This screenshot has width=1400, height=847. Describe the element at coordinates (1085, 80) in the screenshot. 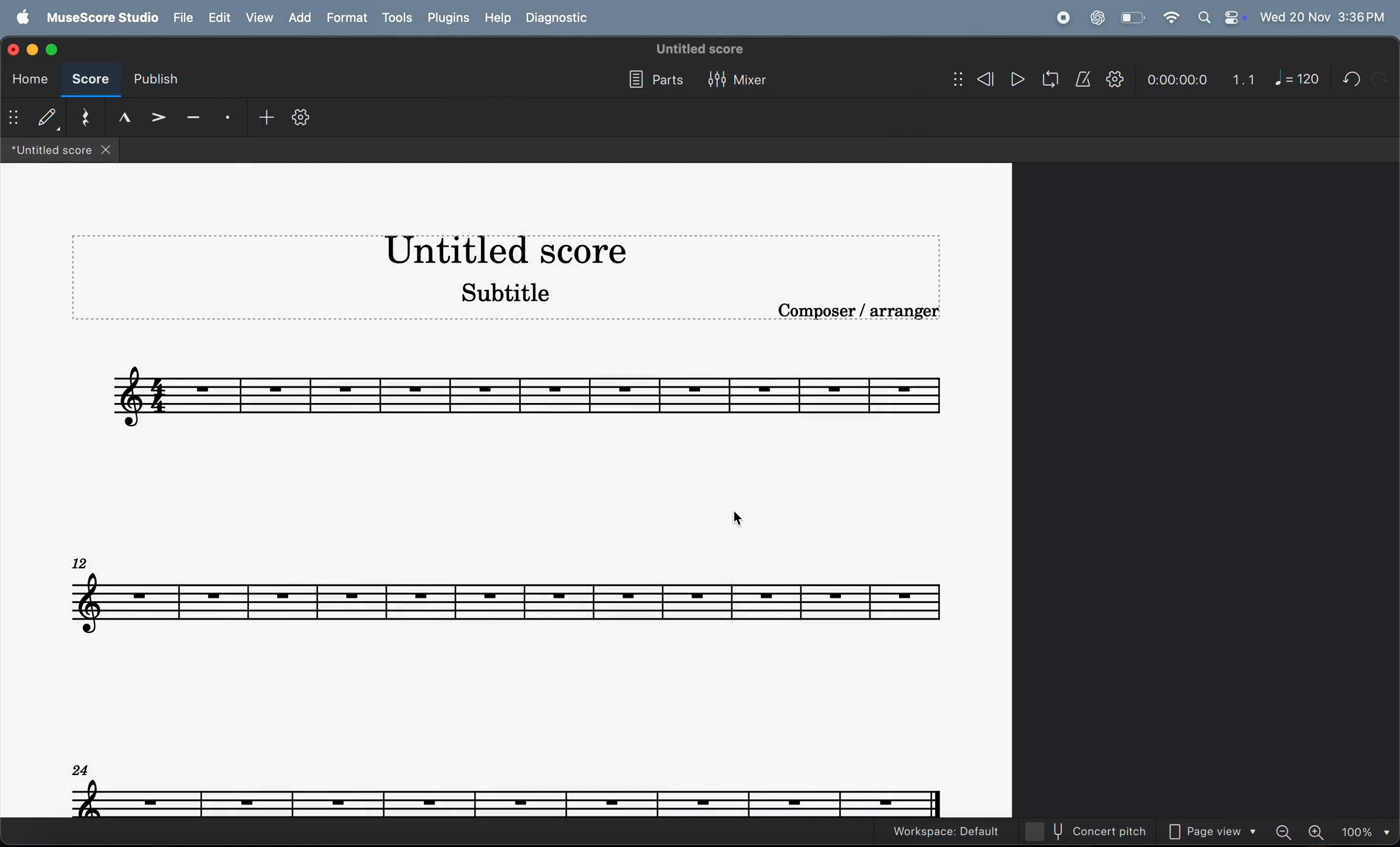

I see `metronome` at that location.